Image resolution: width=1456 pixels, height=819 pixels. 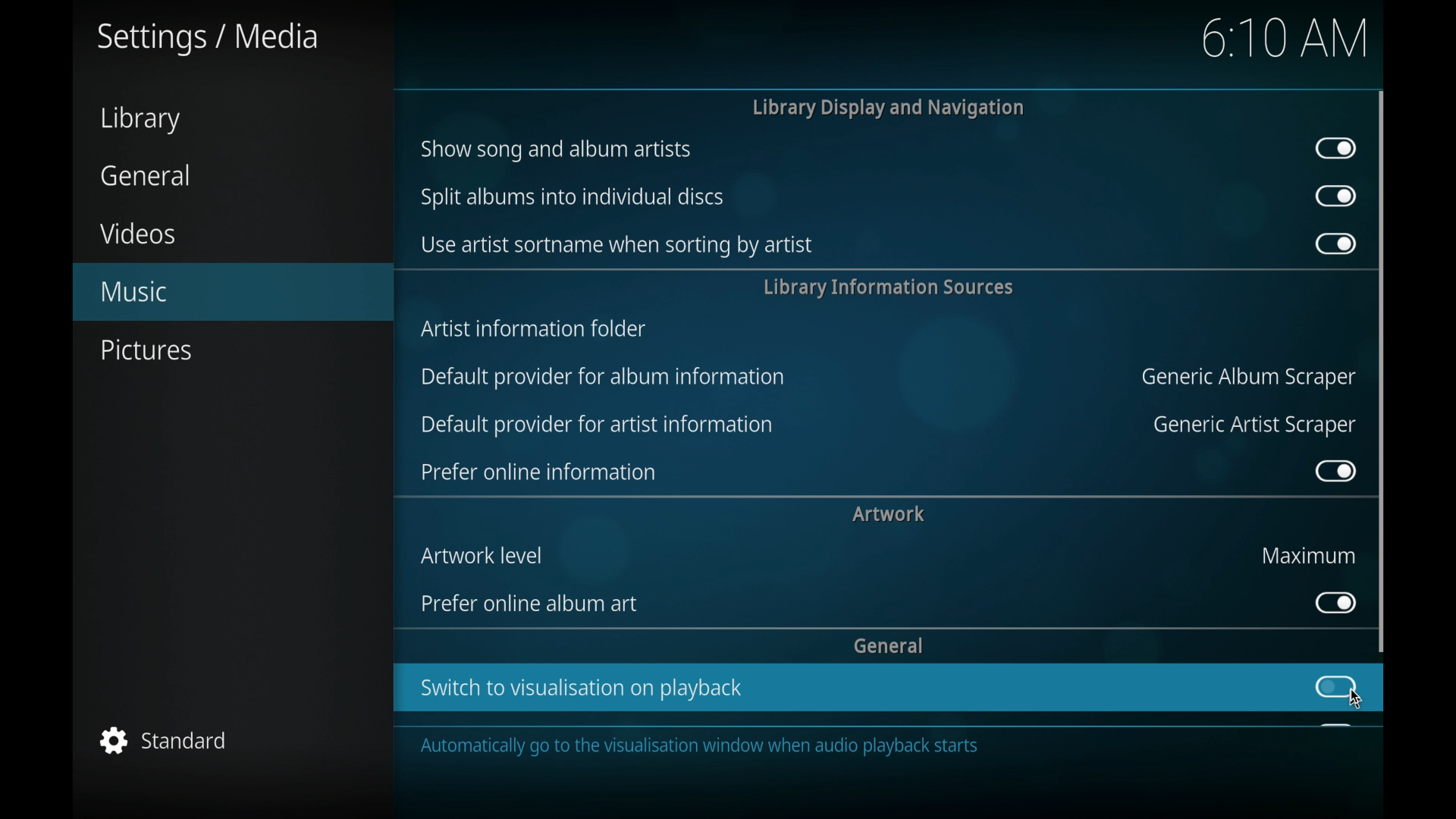 What do you see at coordinates (602, 375) in the screenshot?
I see `default provider for album information` at bounding box center [602, 375].